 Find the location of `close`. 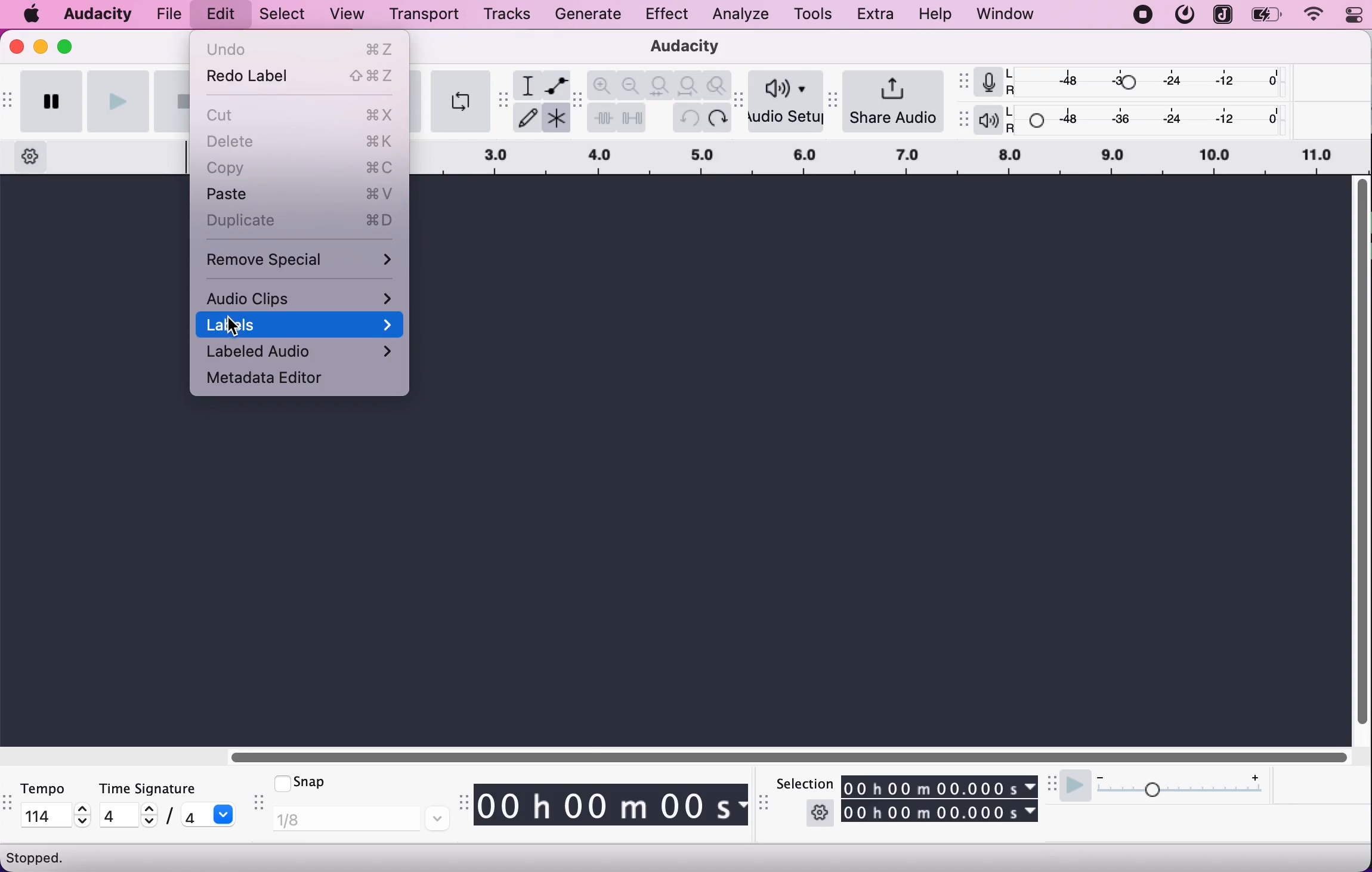

close is located at coordinates (17, 50).